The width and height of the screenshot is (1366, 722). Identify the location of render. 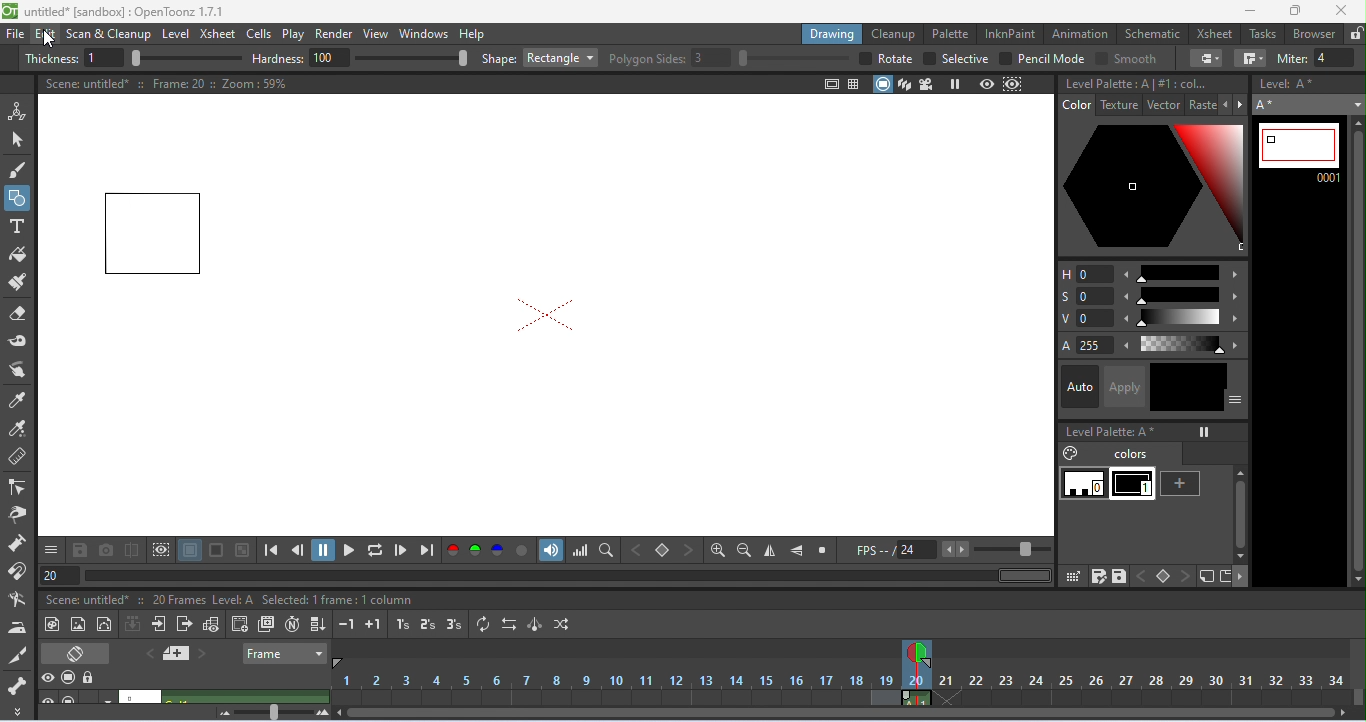
(333, 34).